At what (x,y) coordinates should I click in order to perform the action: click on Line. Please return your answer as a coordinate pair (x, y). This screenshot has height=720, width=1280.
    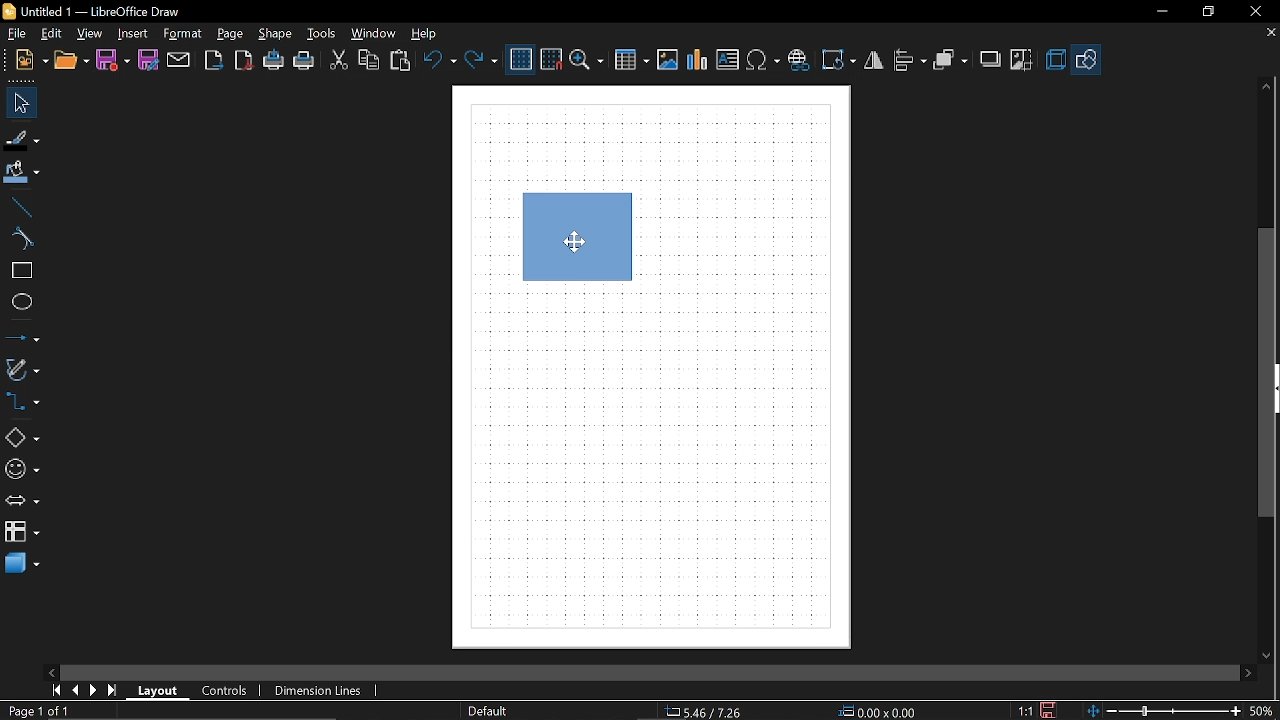
    Looking at the image, I should click on (18, 208).